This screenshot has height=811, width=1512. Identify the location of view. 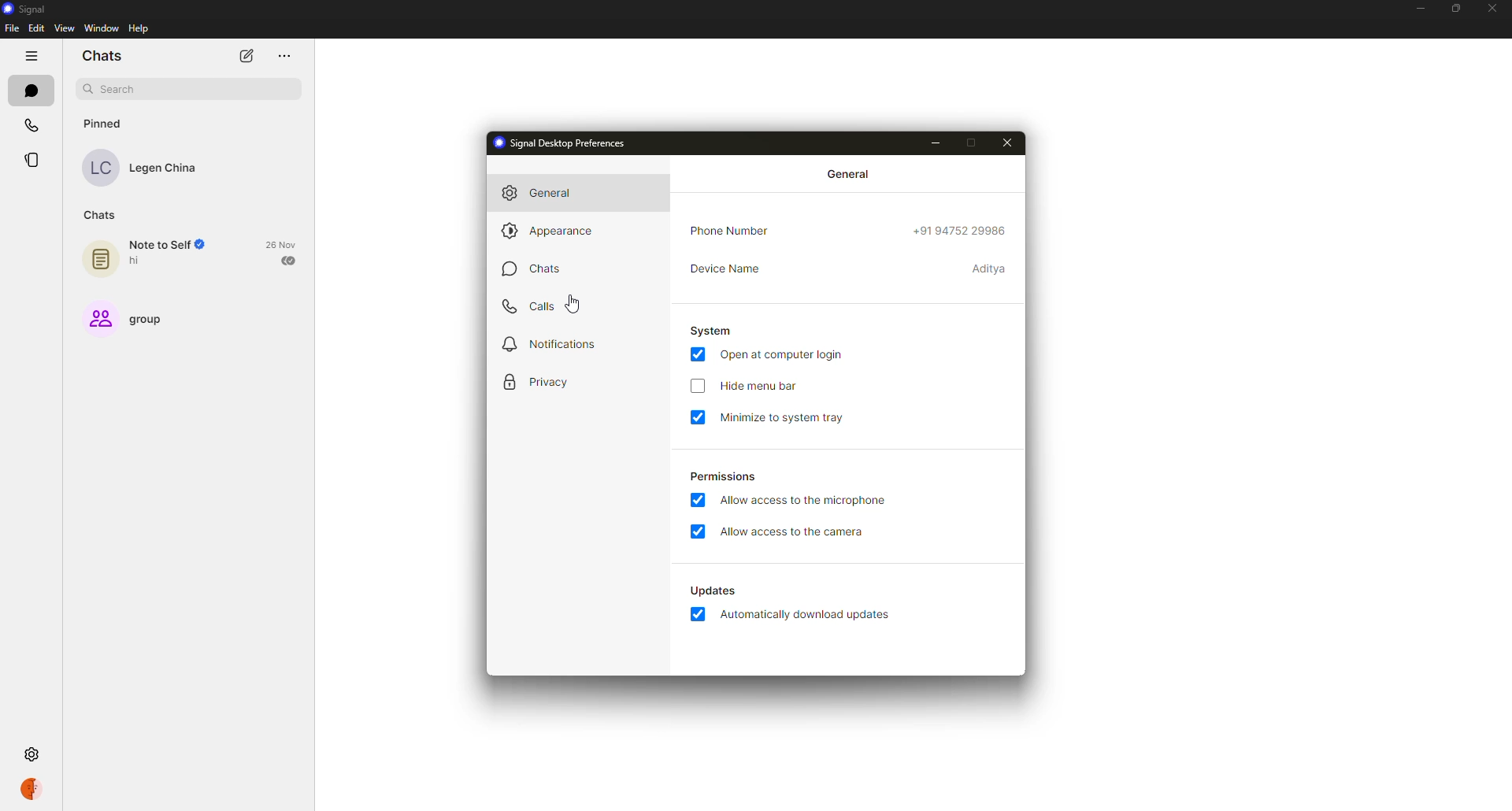
(69, 29).